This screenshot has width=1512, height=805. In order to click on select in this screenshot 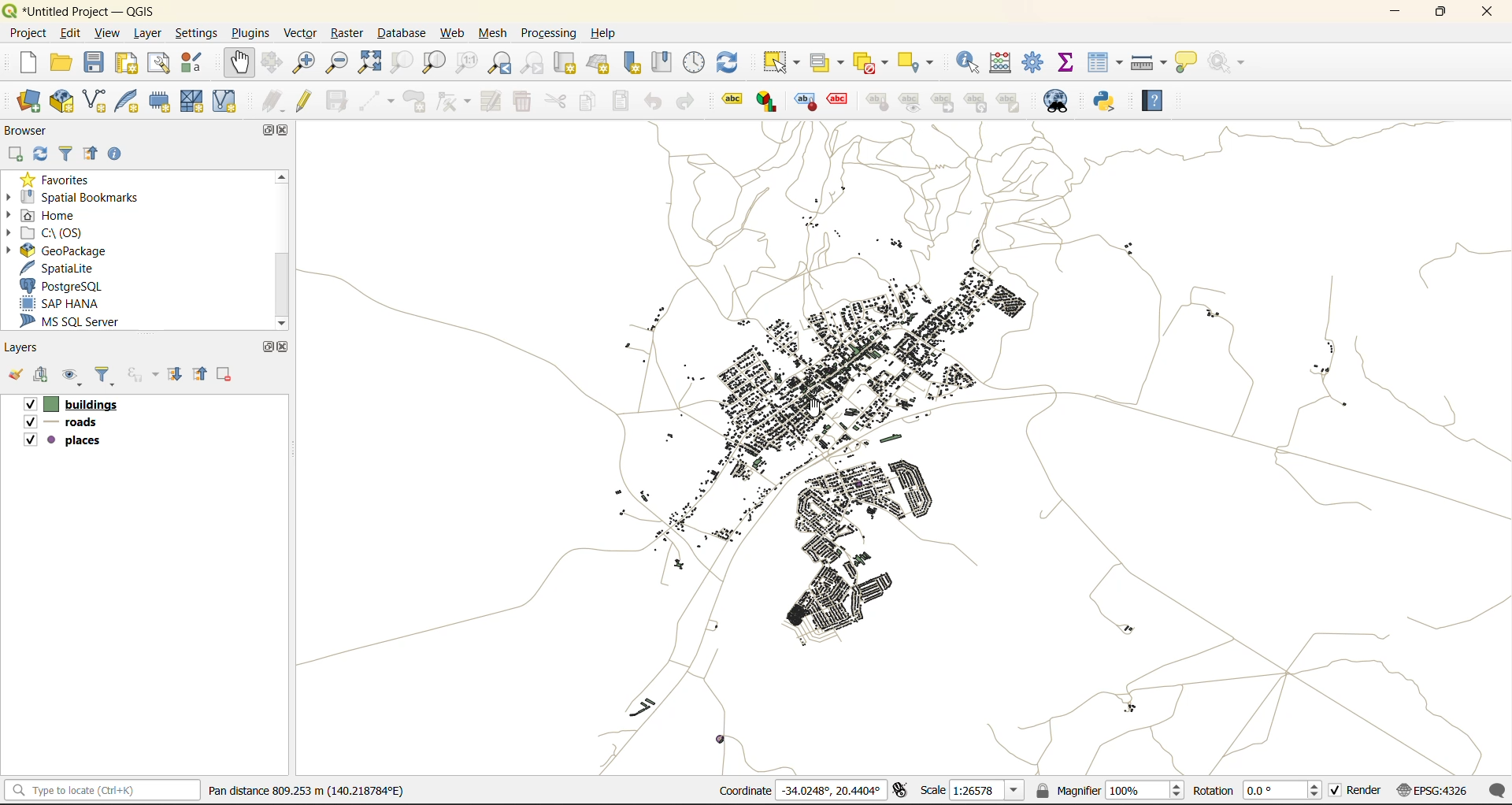, I will do `click(784, 61)`.